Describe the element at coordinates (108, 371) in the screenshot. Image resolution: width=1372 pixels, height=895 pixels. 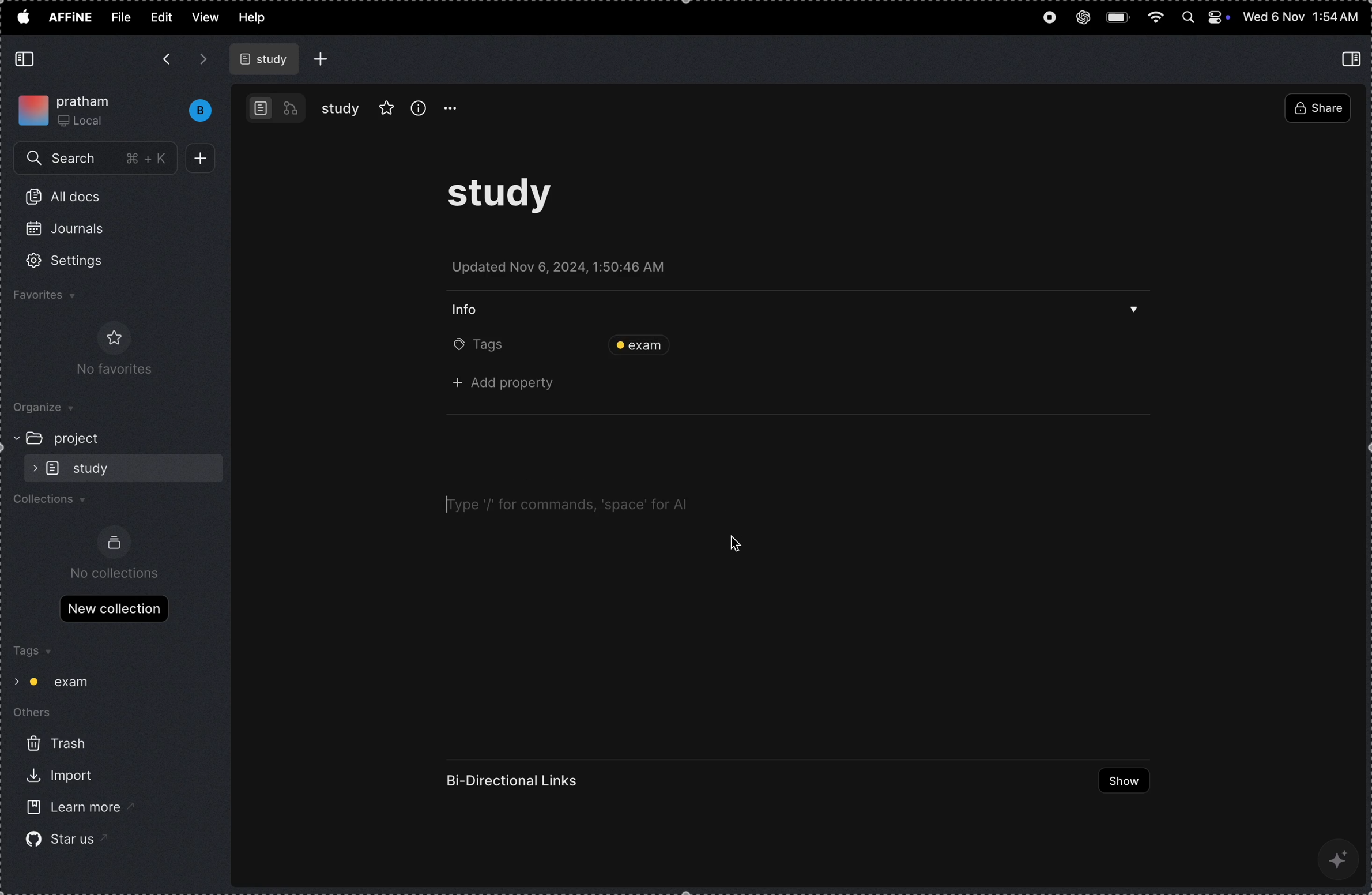
I see `No favorites` at that location.